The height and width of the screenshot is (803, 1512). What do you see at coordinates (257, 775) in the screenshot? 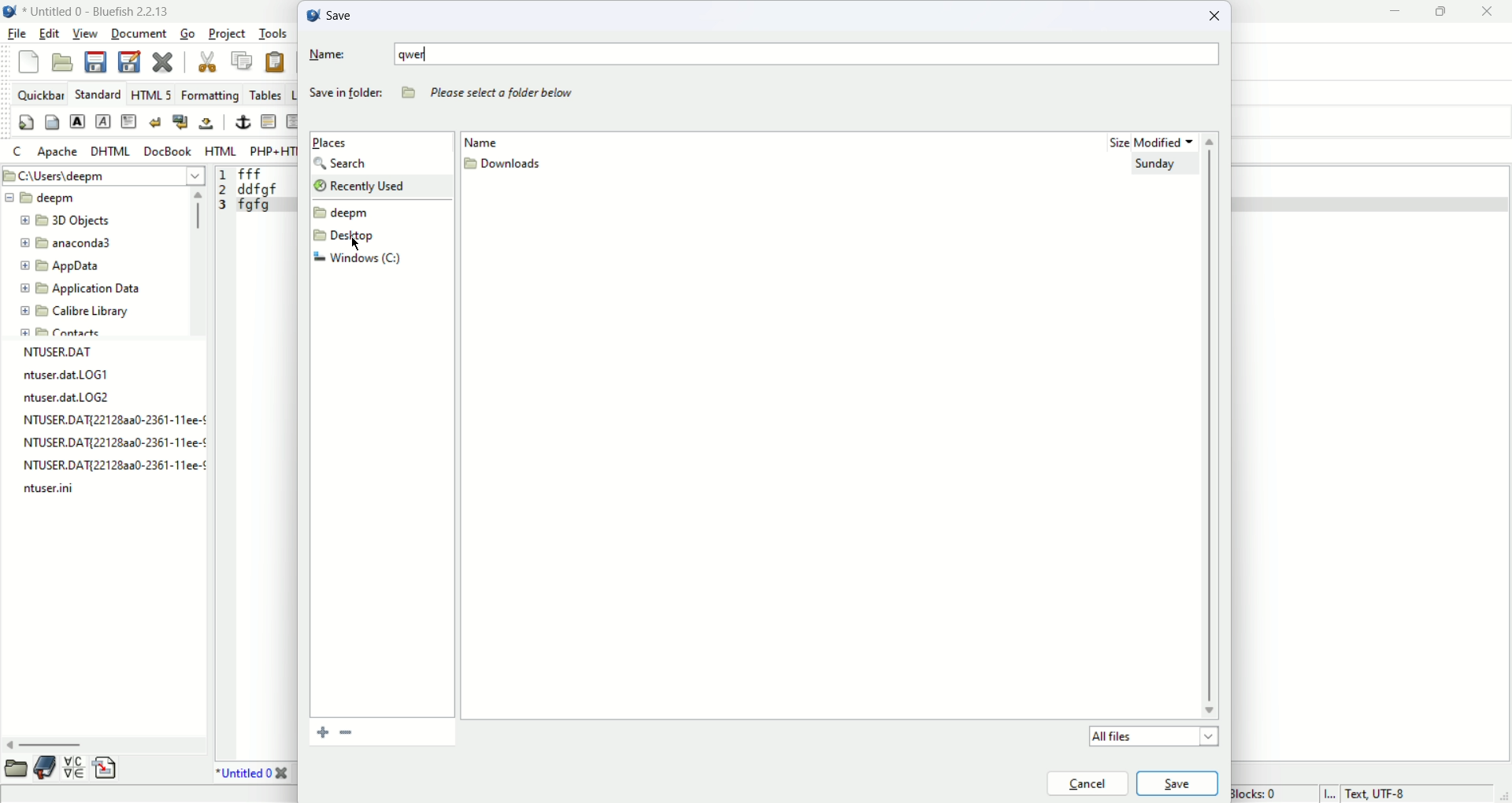
I see `title` at bounding box center [257, 775].